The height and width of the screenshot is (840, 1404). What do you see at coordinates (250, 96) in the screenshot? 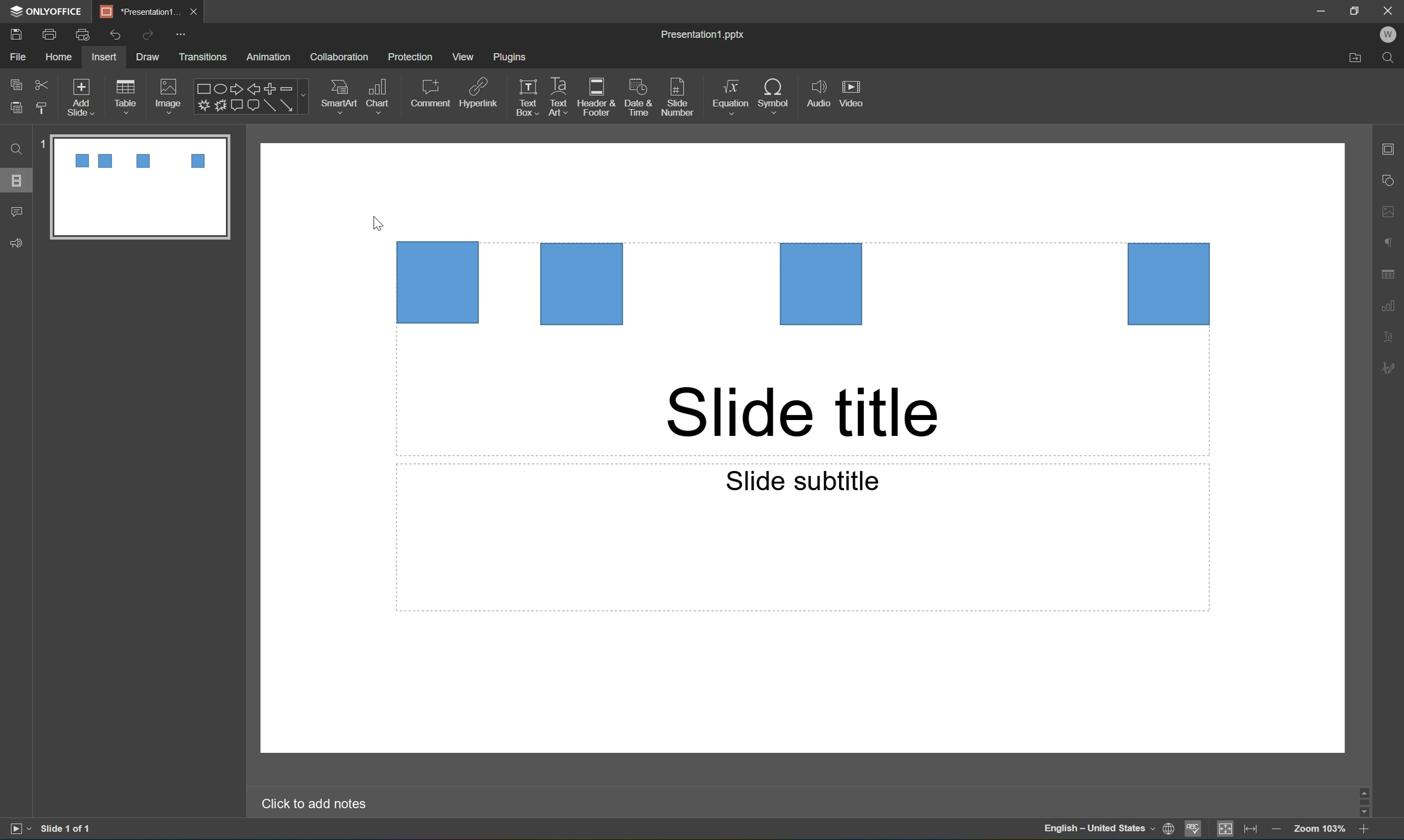
I see `shapes` at bounding box center [250, 96].